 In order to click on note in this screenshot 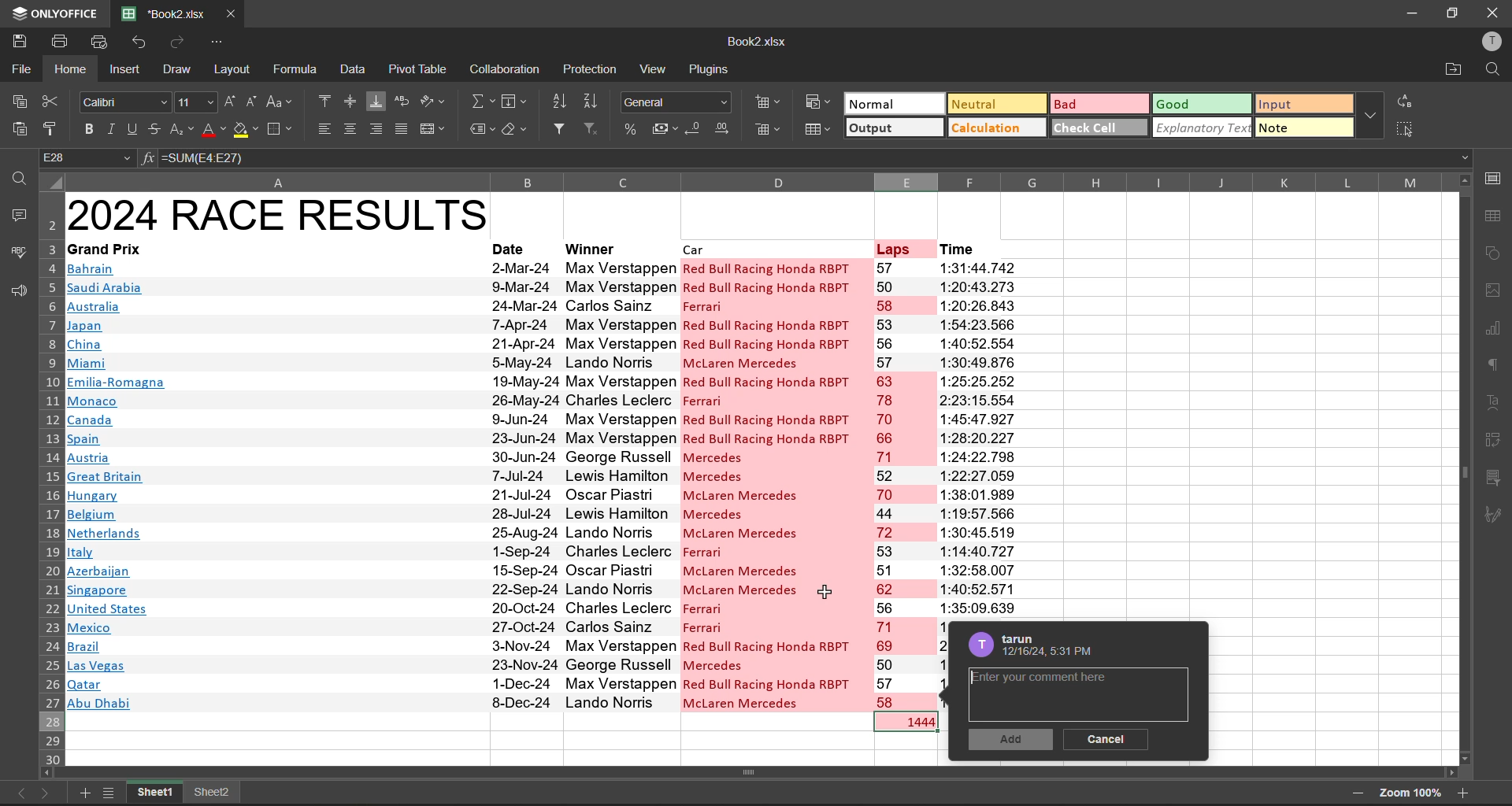, I will do `click(1299, 128)`.